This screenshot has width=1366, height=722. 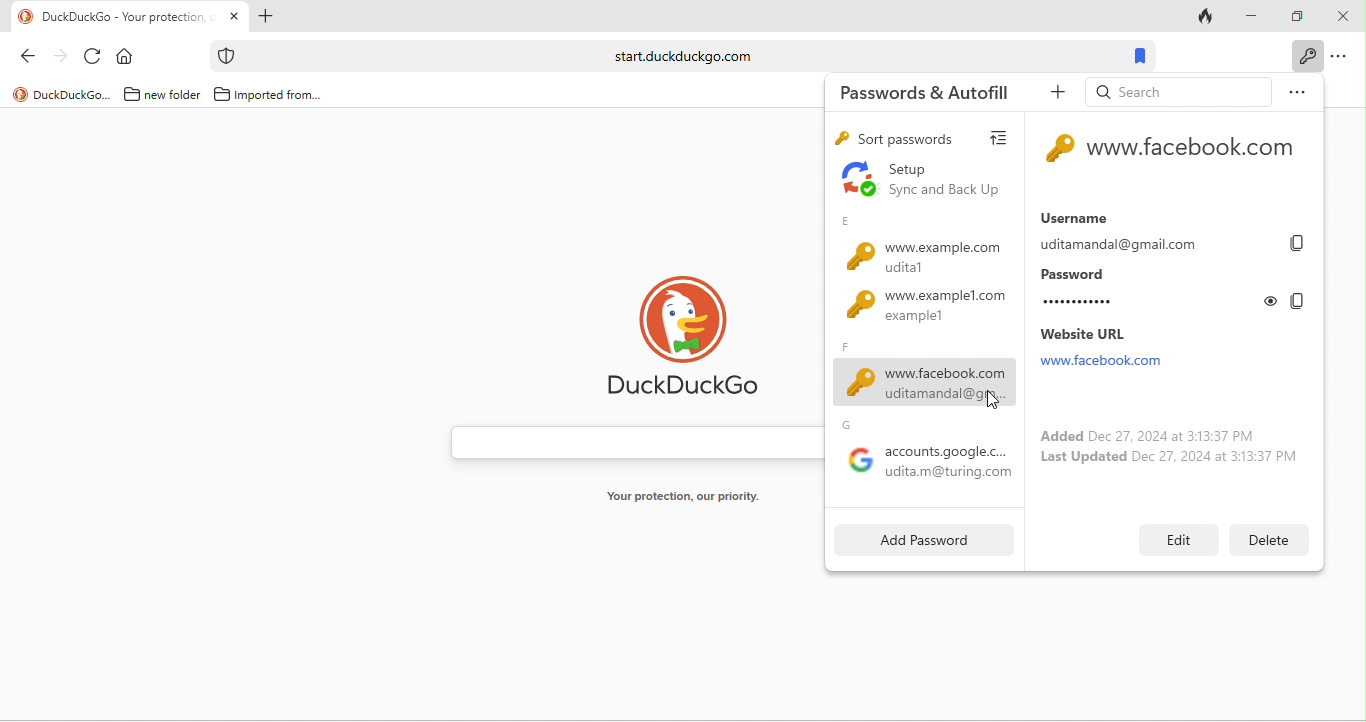 I want to click on password and autofill, so click(x=1305, y=56).